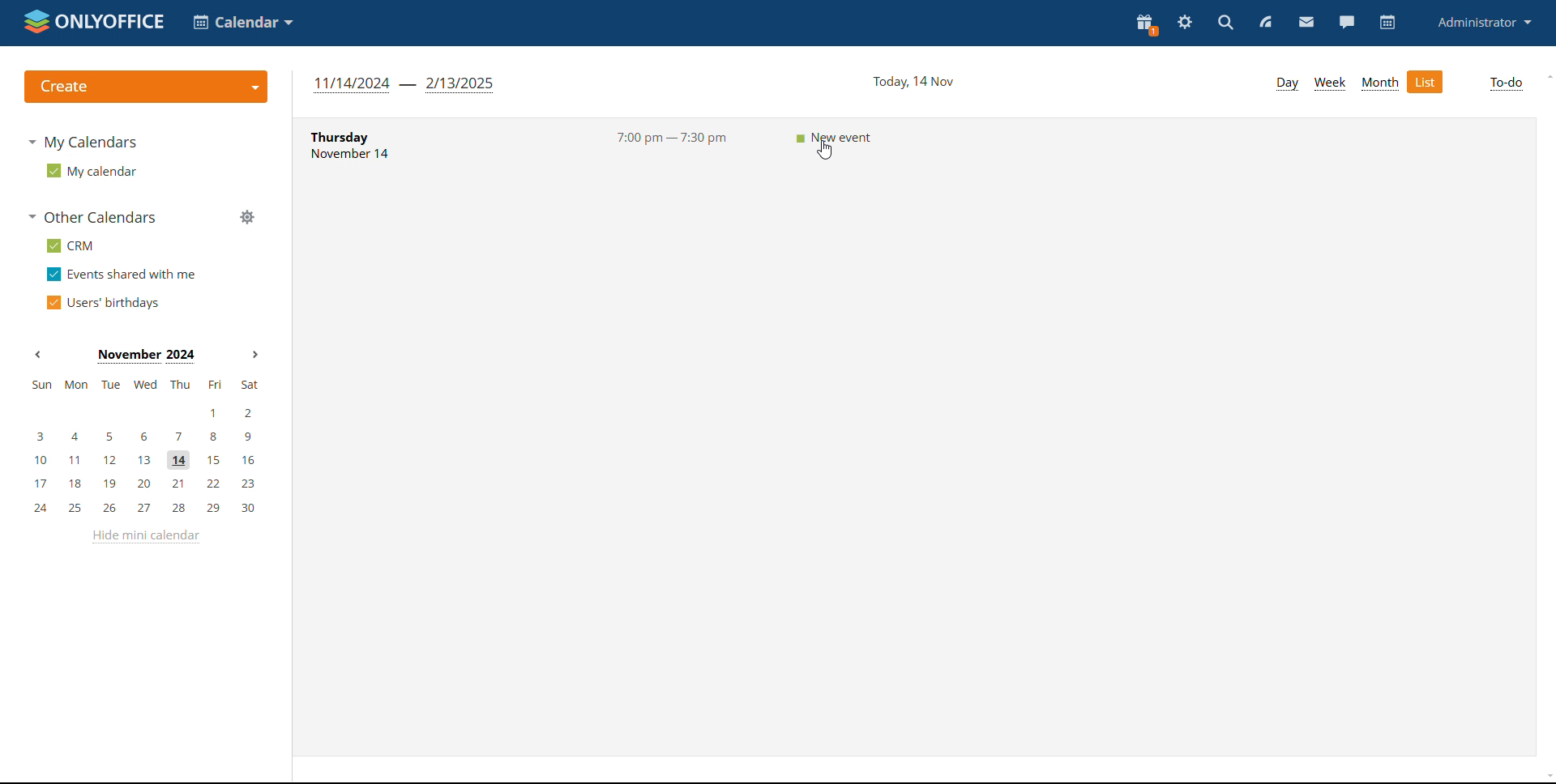 The width and height of the screenshot is (1556, 784). I want to click on present, so click(1145, 24).